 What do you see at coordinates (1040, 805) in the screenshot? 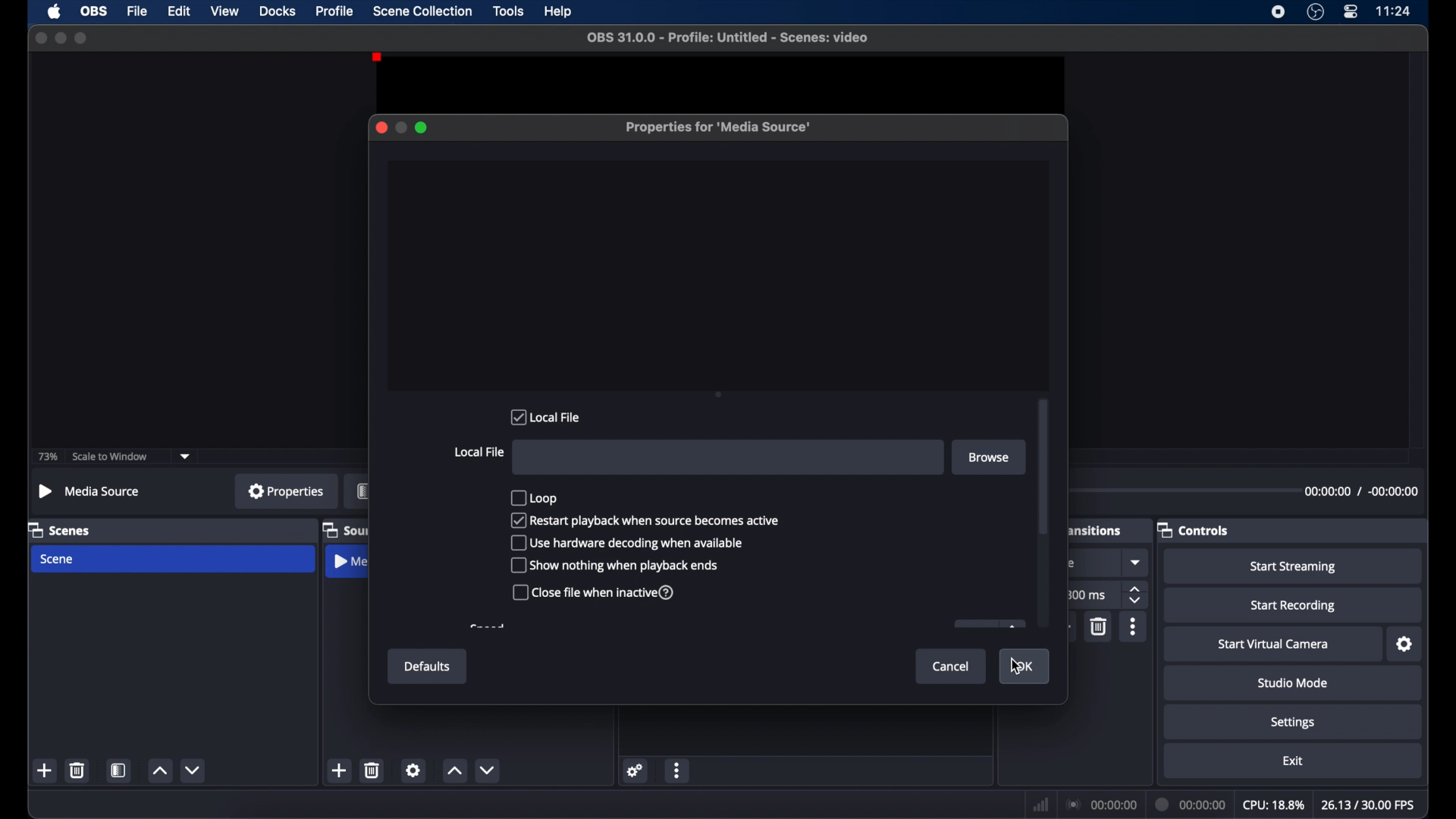
I see `network` at bounding box center [1040, 805].